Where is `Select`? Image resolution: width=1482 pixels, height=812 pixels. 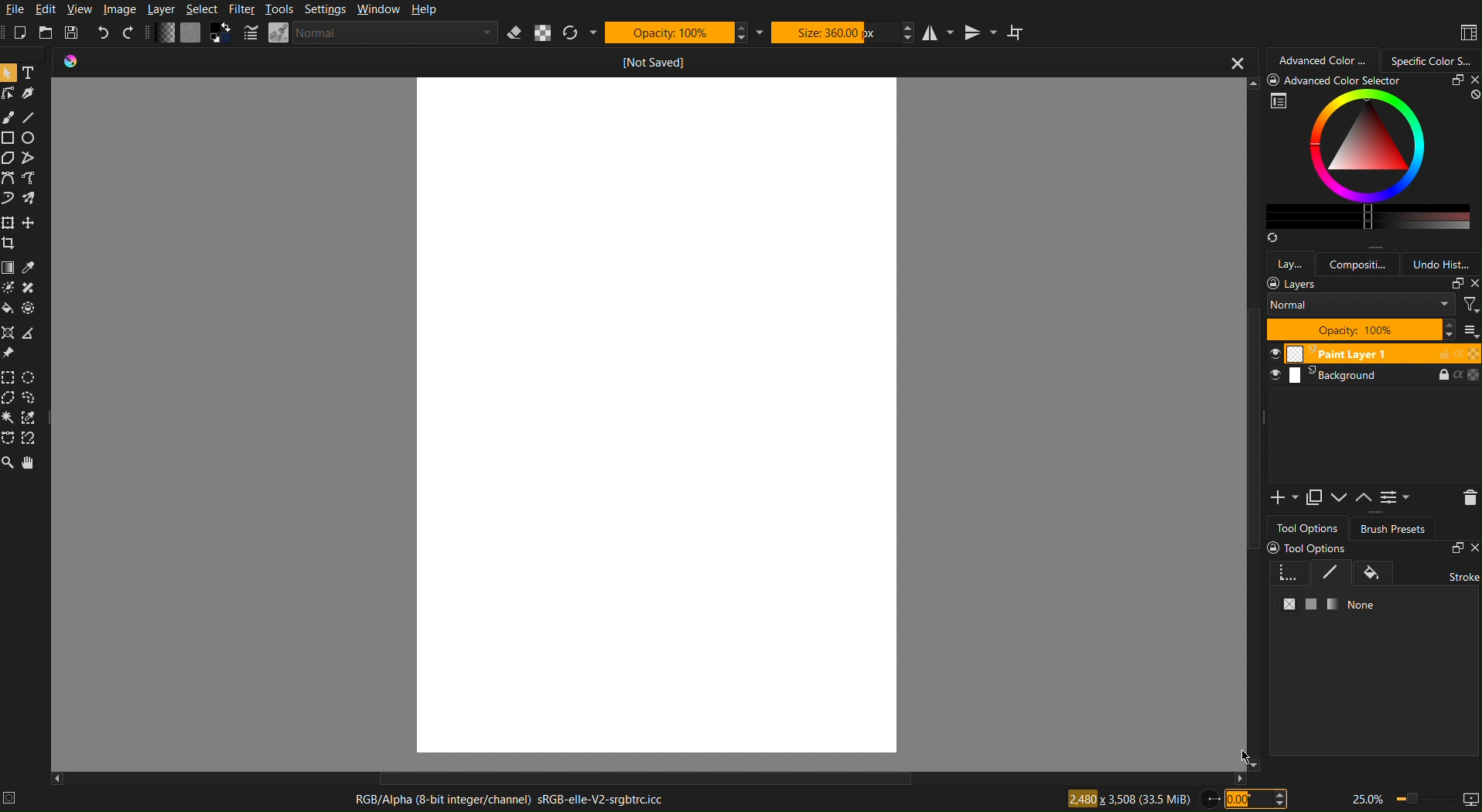 Select is located at coordinates (202, 9).